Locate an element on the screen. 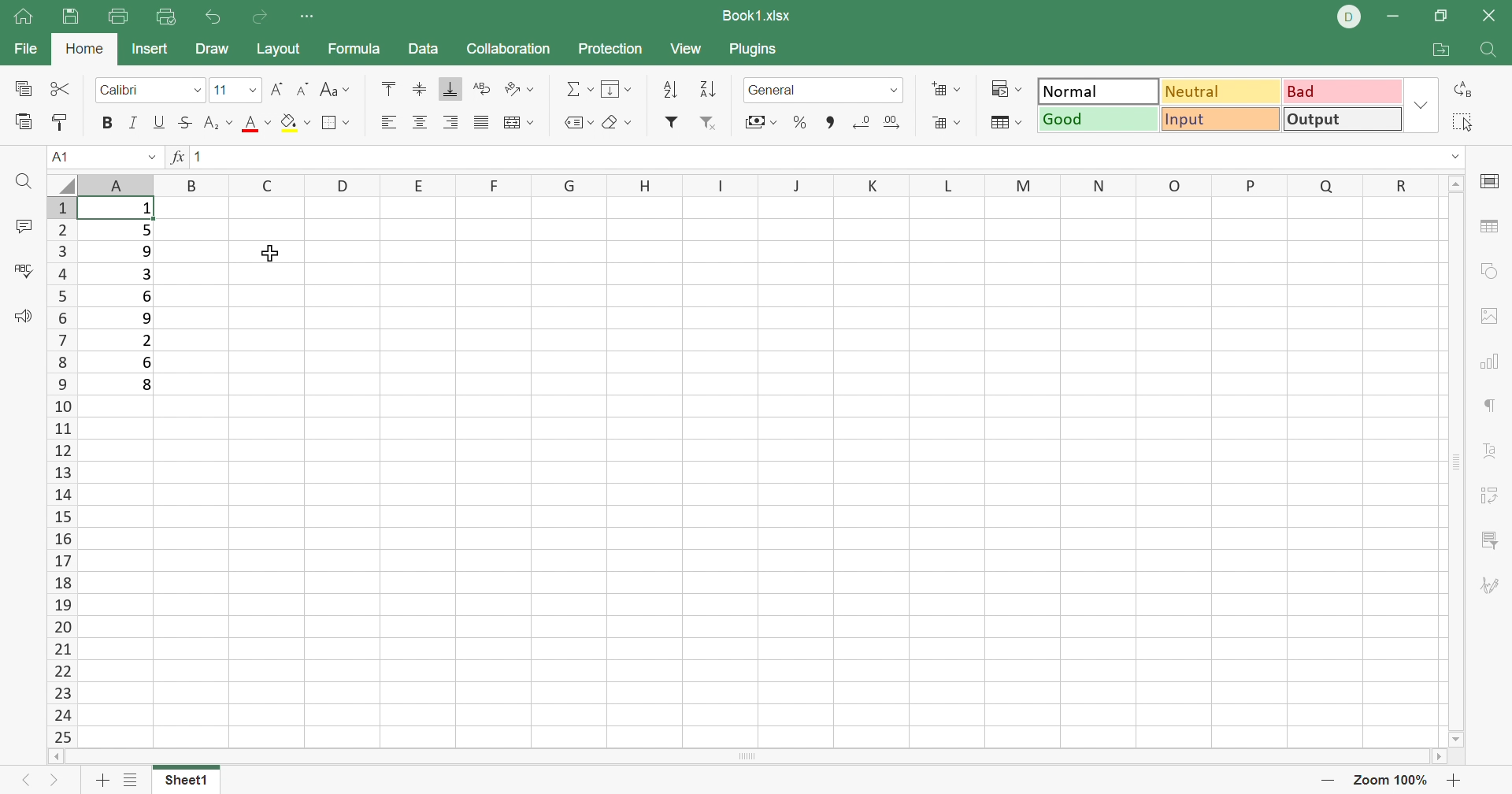  Bold is located at coordinates (108, 123).